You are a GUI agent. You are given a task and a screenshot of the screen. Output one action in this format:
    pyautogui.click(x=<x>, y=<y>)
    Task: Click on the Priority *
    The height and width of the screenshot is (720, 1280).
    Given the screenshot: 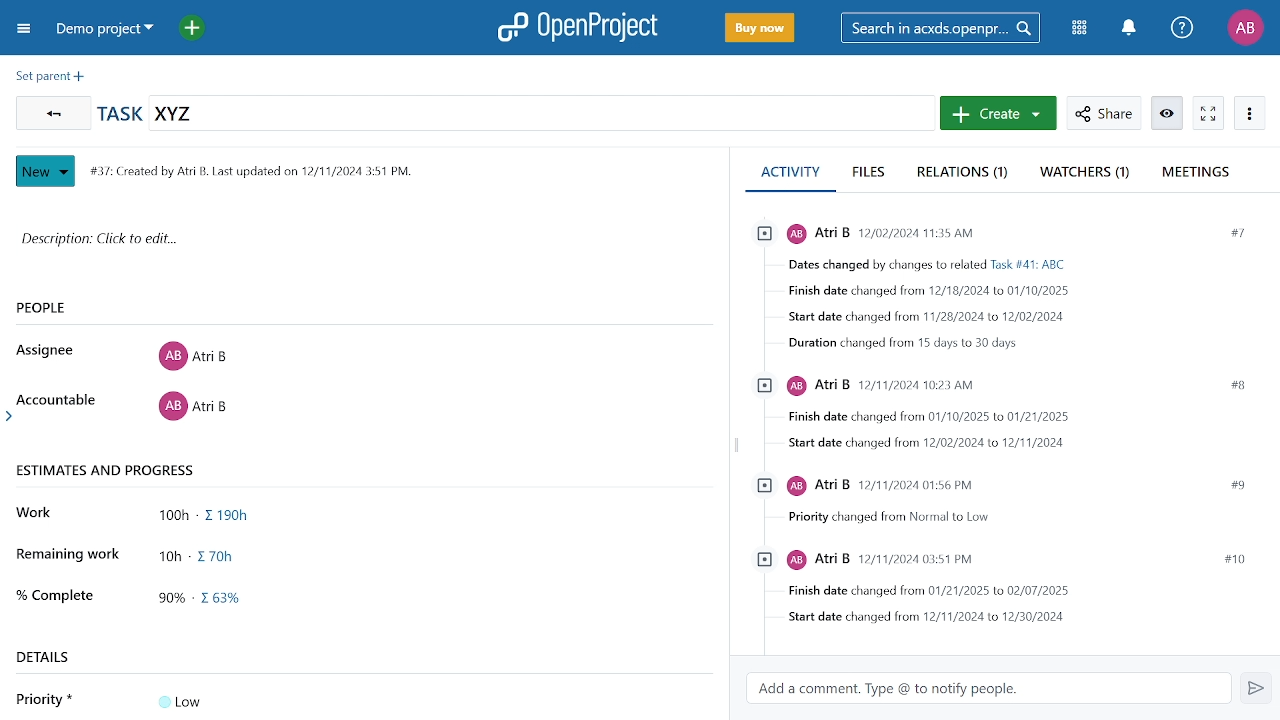 What is the action you would take?
    pyautogui.click(x=46, y=701)
    